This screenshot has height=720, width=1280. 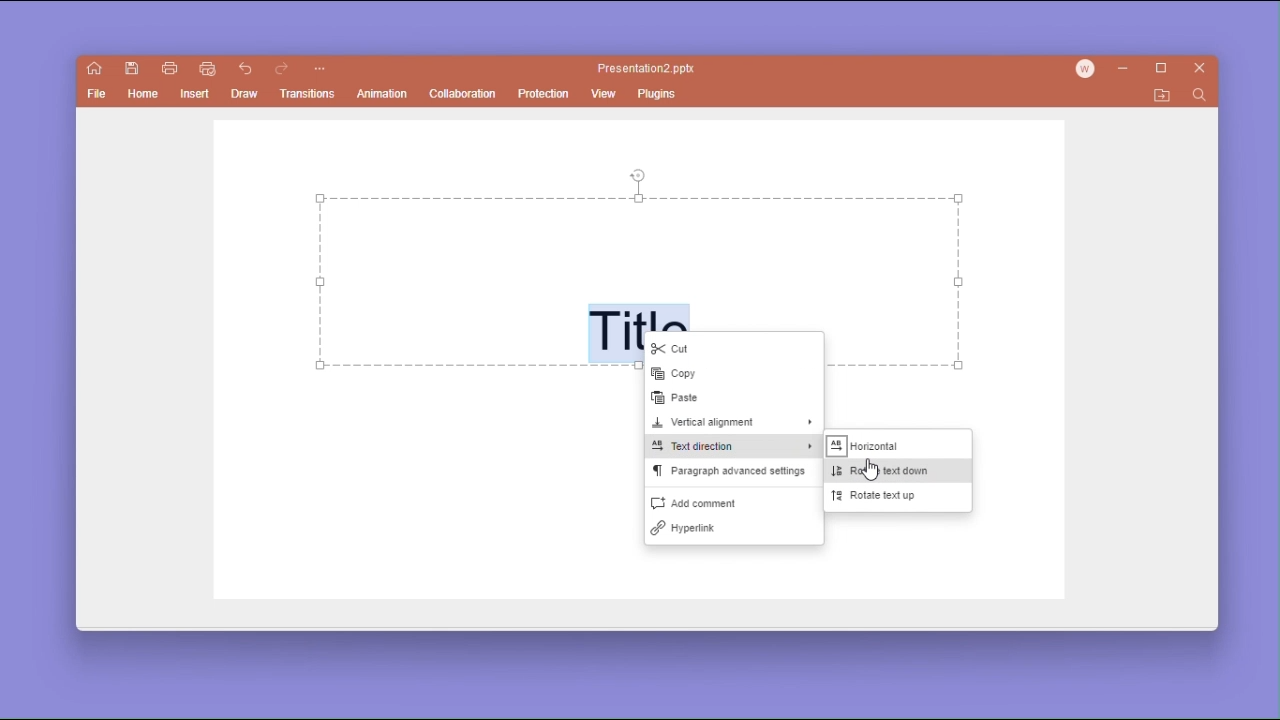 I want to click on close, so click(x=1201, y=70).